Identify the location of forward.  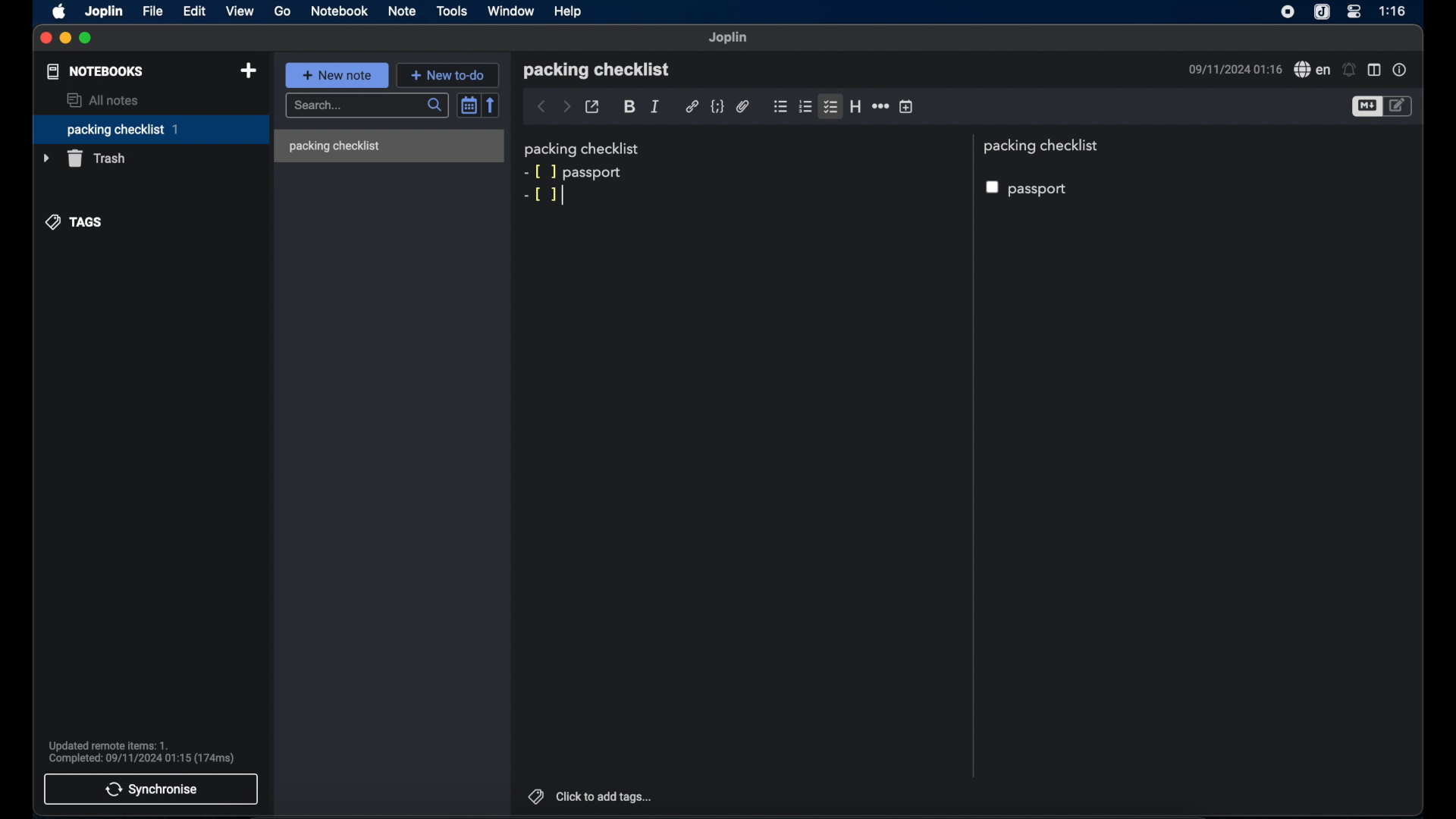
(566, 106).